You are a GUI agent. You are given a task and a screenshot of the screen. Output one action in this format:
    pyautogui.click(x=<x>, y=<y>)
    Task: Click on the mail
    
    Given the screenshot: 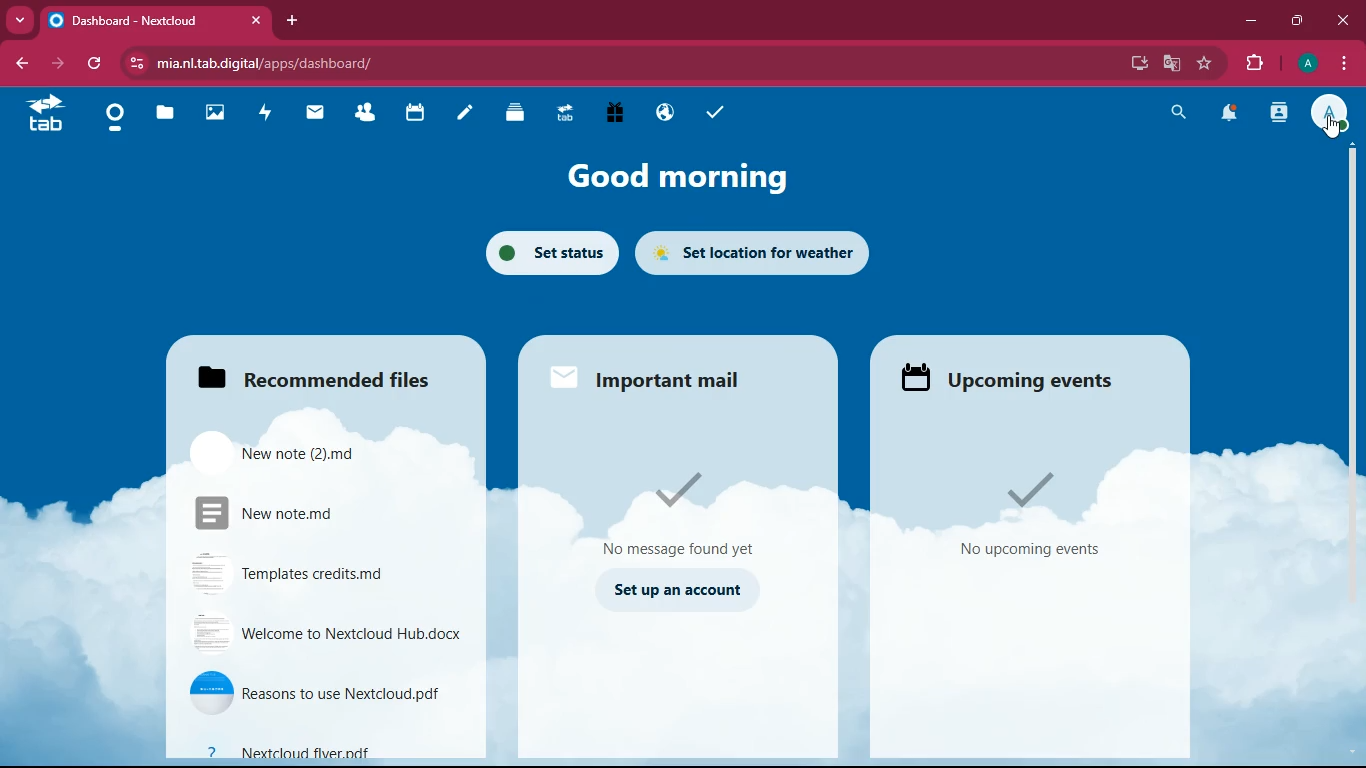 What is the action you would take?
    pyautogui.click(x=313, y=114)
    